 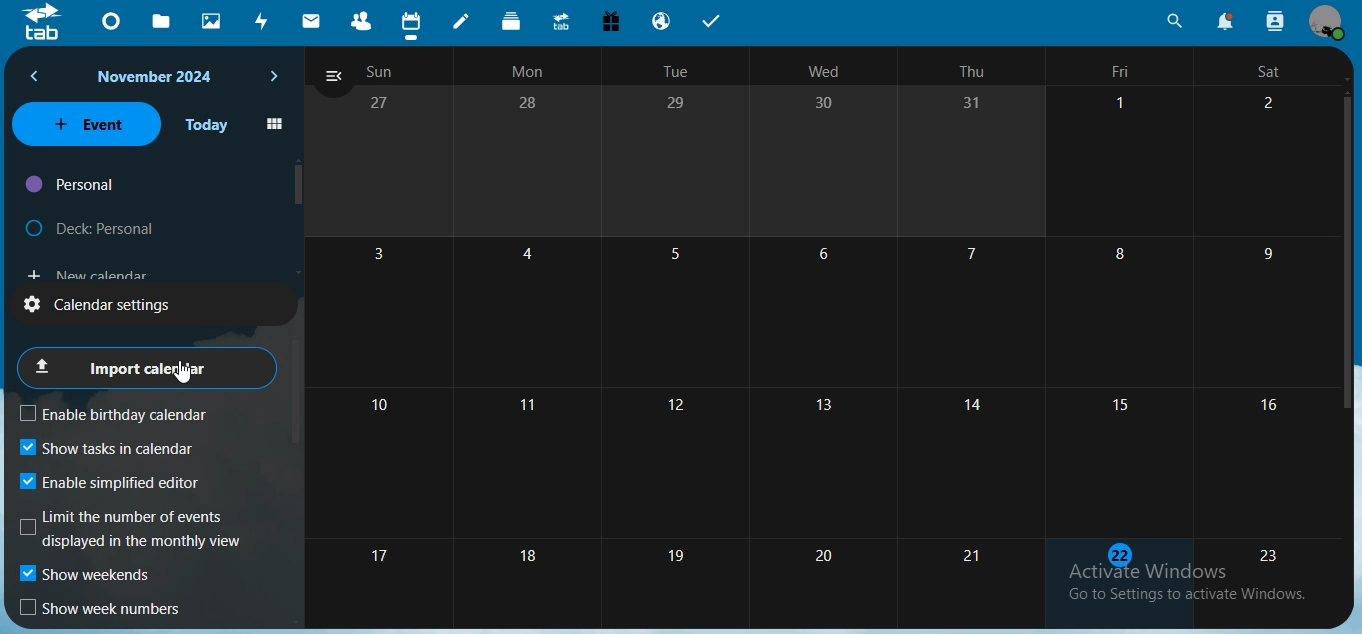 What do you see at coordinates (314, 19) in the screenshot?
I see `mail` at bounding box center [314, 19].